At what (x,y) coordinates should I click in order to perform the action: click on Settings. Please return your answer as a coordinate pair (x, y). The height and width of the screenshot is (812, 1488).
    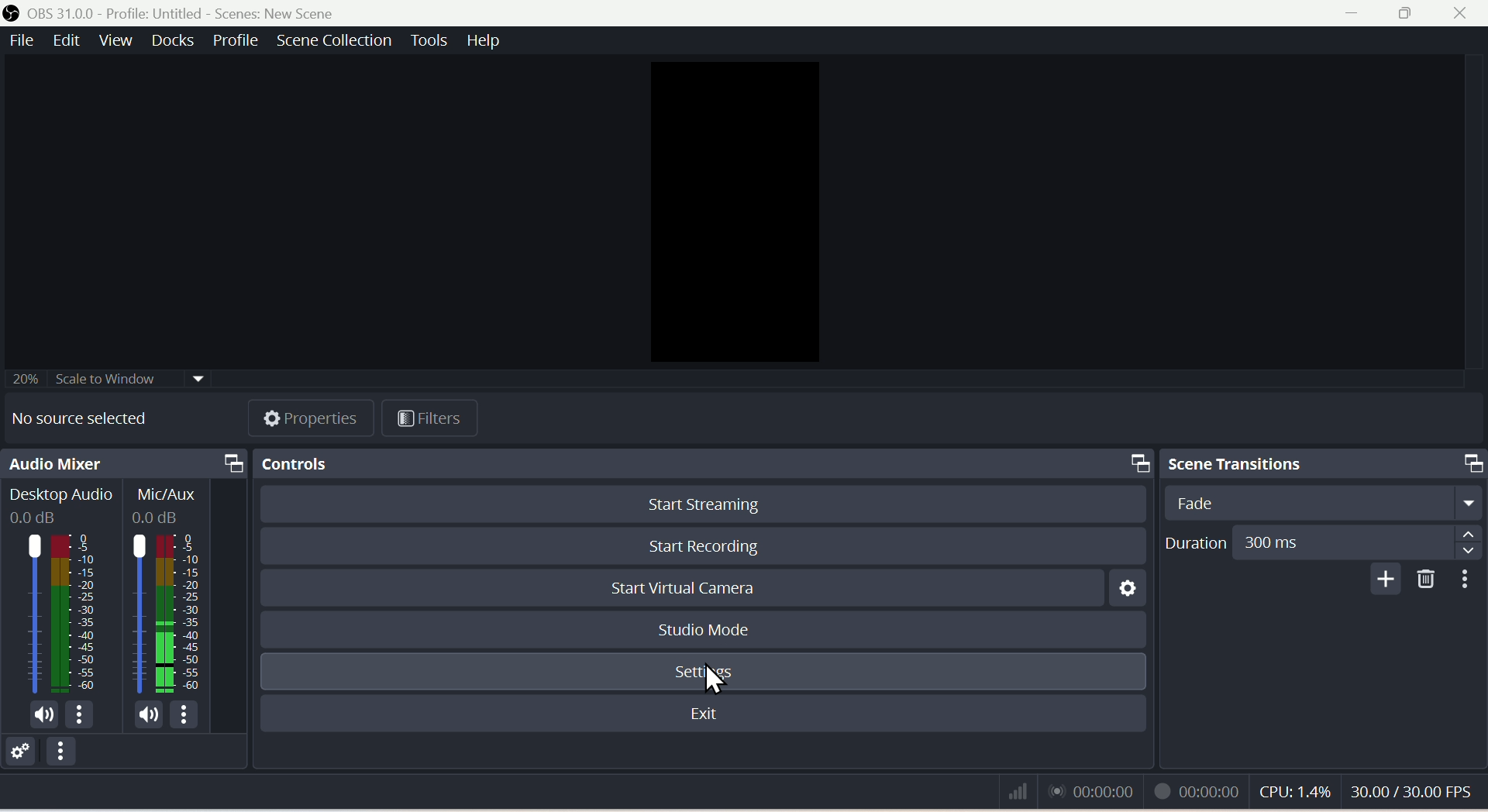
    Looking at the image, I should click on (18, 749).